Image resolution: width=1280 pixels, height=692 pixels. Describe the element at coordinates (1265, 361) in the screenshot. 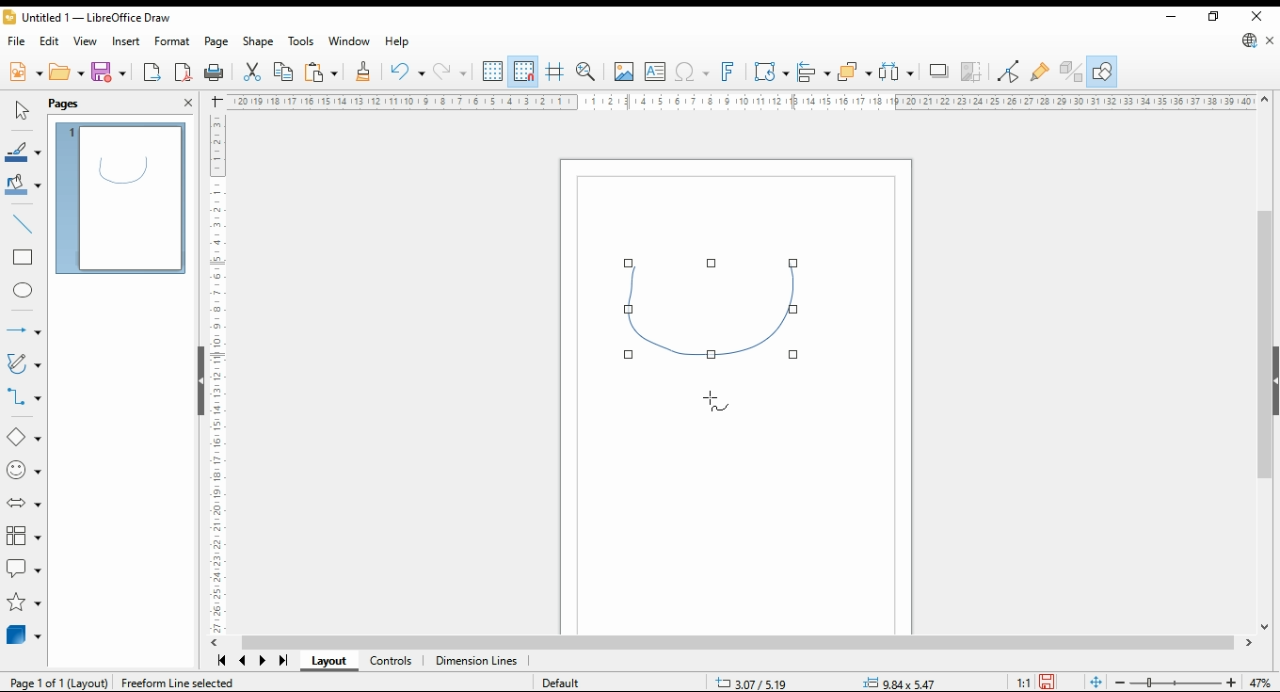

I see `scroll bar` at that location.